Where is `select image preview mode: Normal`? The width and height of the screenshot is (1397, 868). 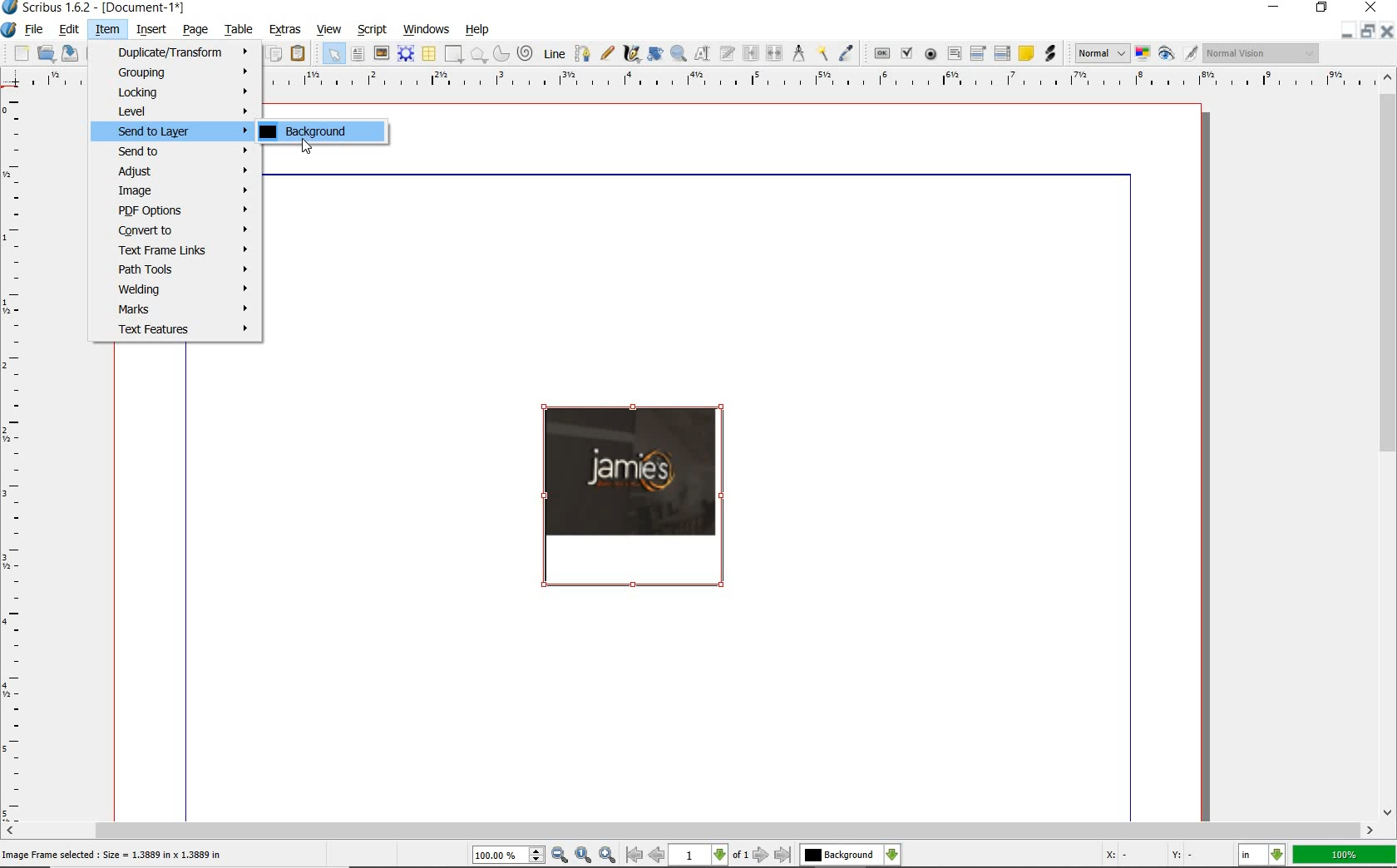
select image preview mode: Normal is located at coordinates (1101, 53).